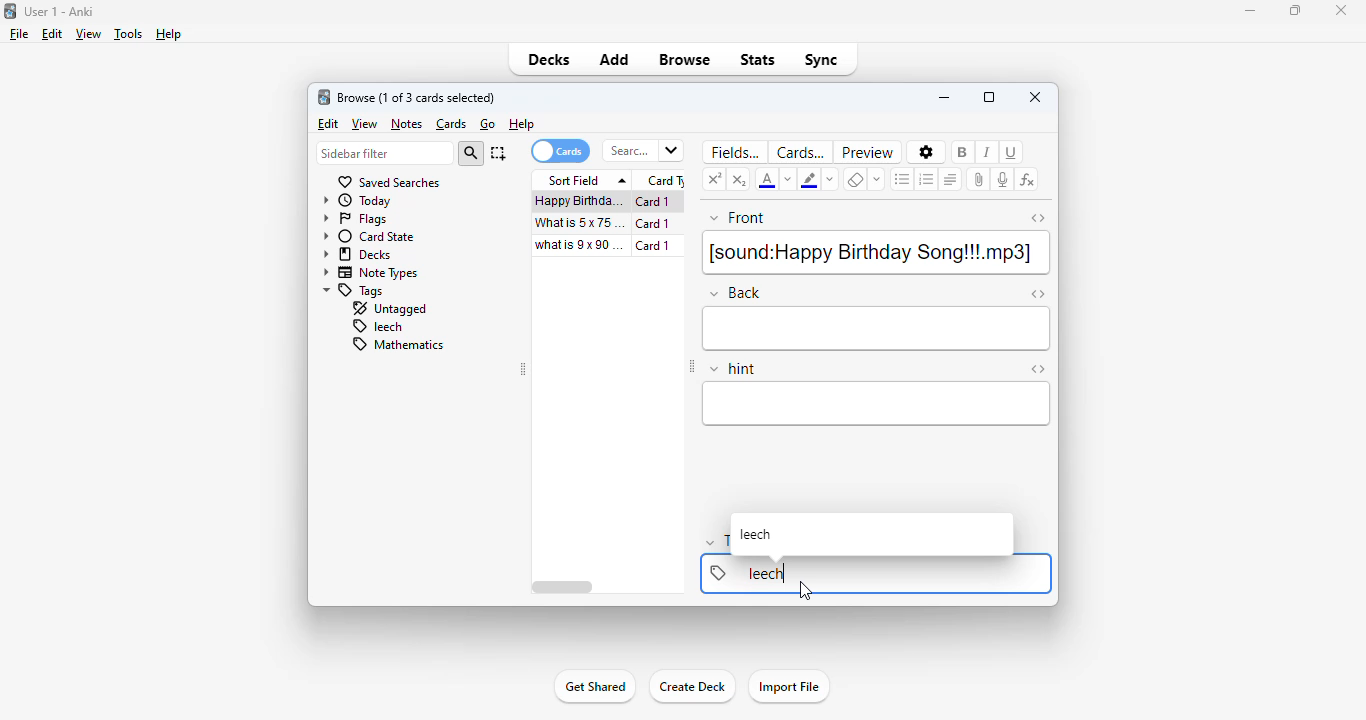  What do you see at coordinates (358, 201) in the screenshot?
I see `today` at bounding box center [358, 201].